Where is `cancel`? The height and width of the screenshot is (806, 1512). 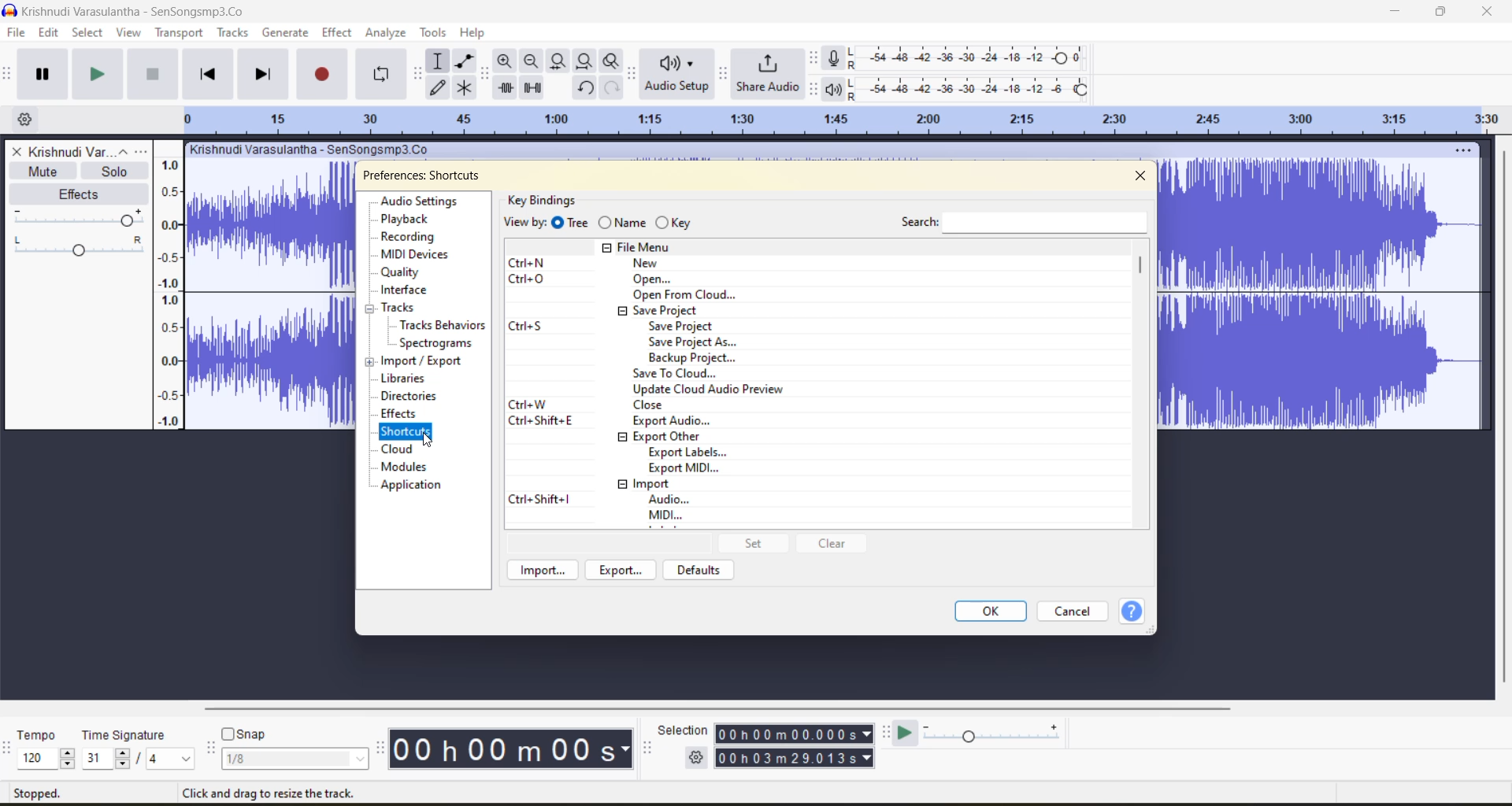
cancel is located at coordinates (1080, 613).